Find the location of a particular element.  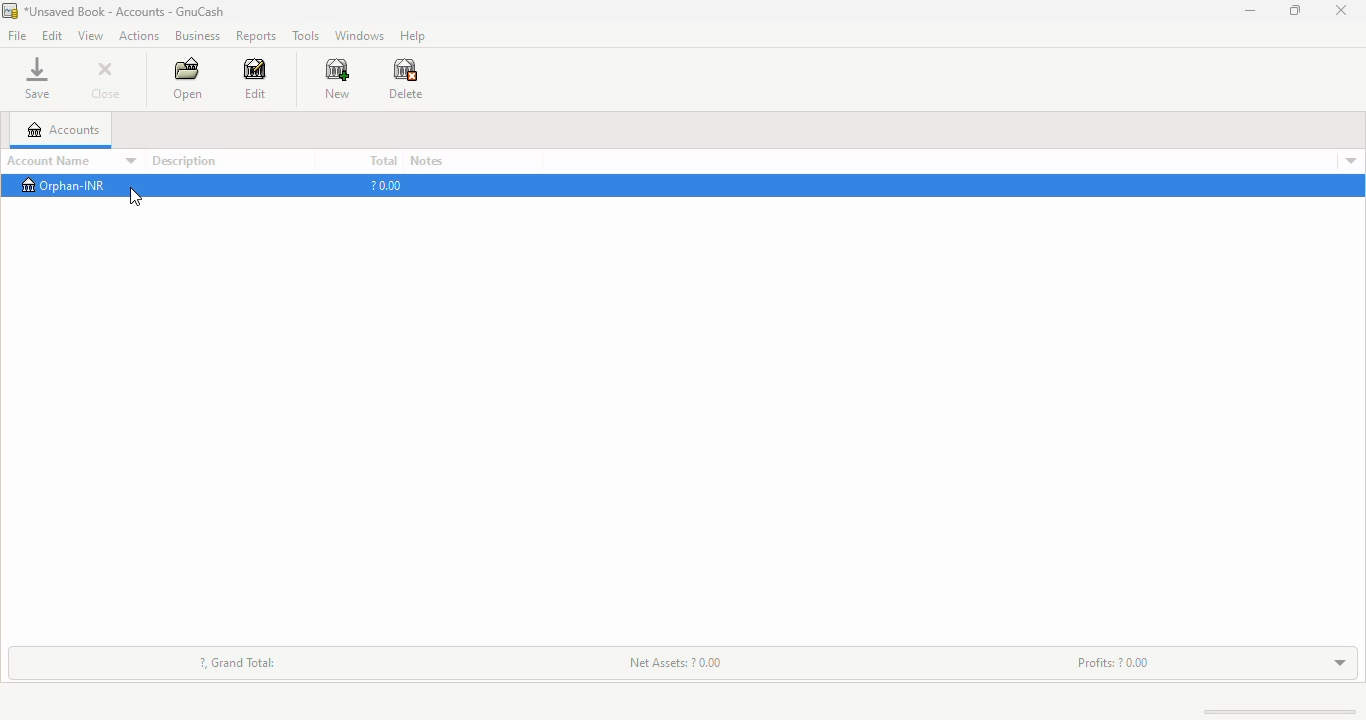

net assets: ? 0.00 is located at coordinates (679, 662).